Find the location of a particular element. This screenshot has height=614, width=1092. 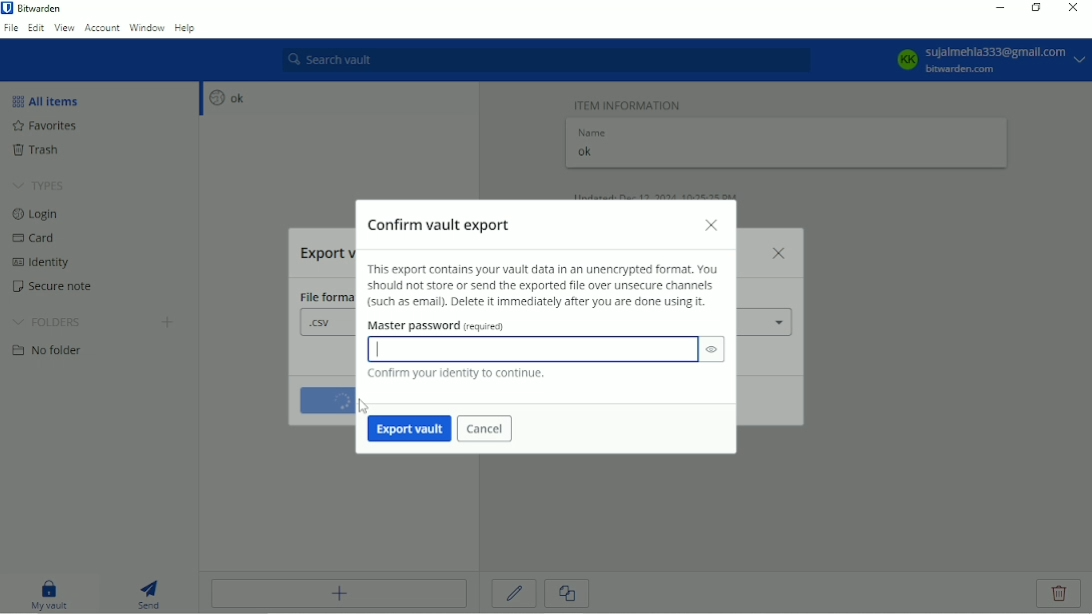

Help is located at coordinates (186, 29).